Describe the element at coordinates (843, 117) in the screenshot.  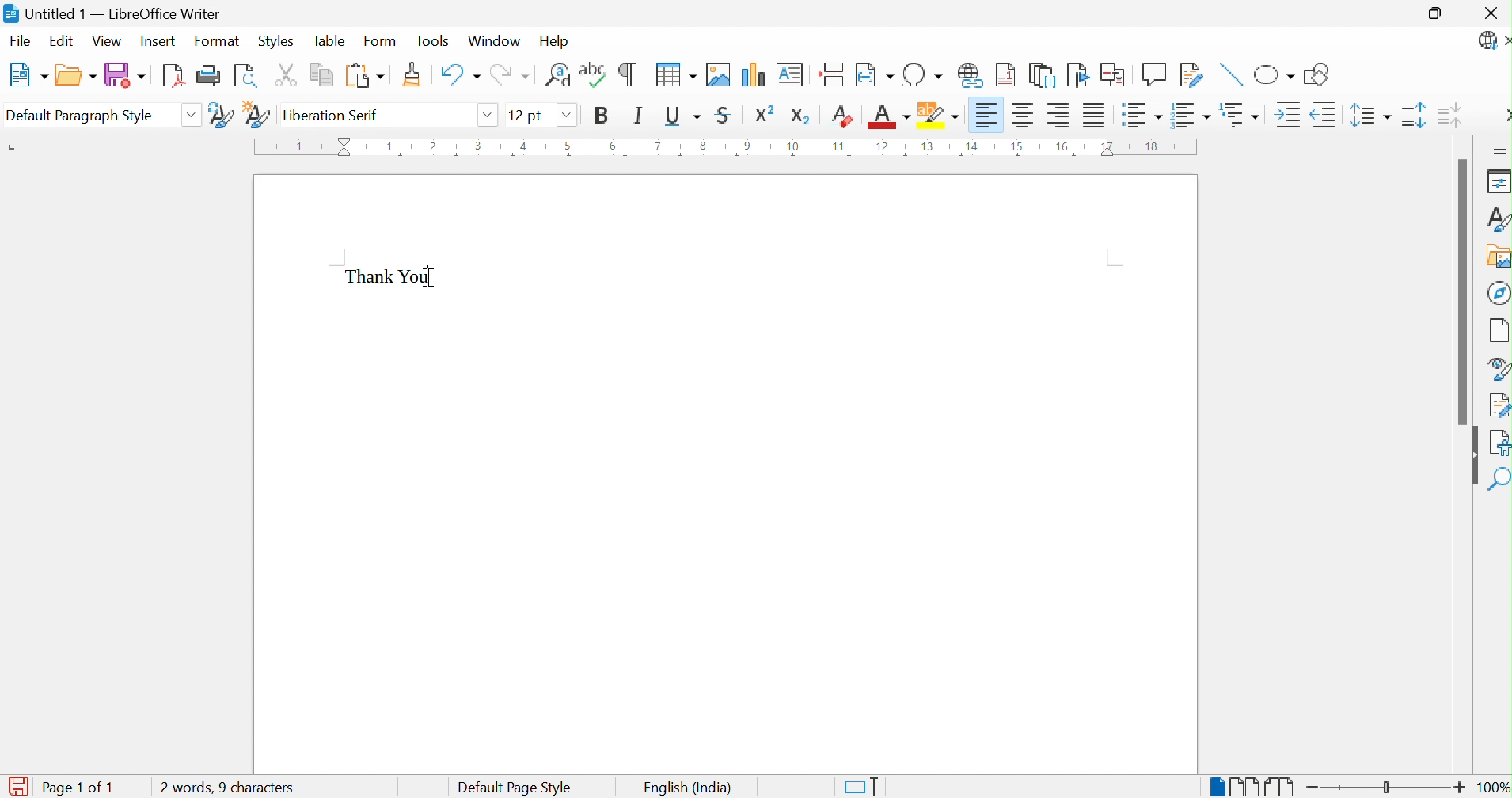
I see `Clear Direct Formatting` at that location.